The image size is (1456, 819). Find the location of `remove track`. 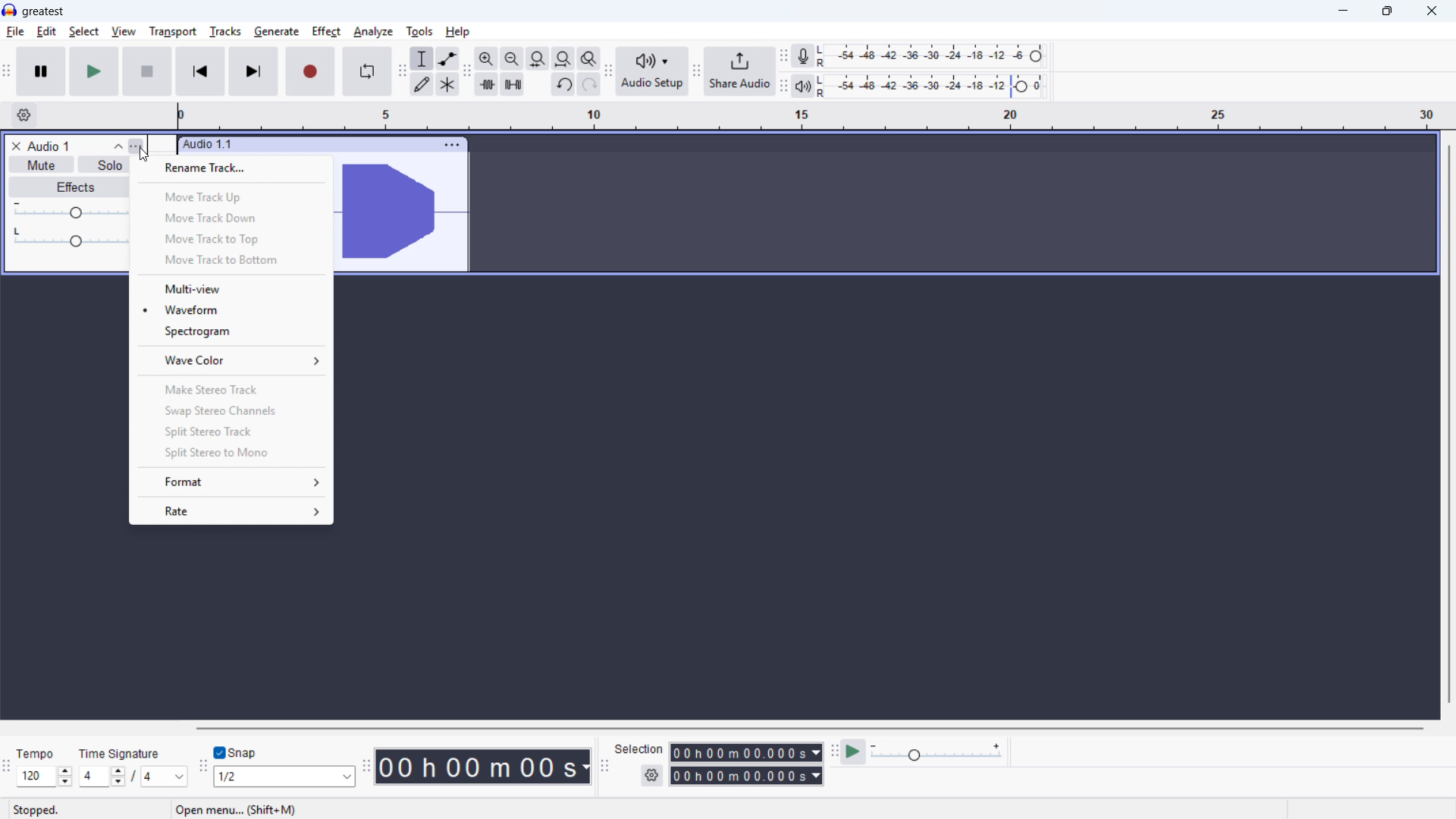

remove track is located at coordinates (16, 146).